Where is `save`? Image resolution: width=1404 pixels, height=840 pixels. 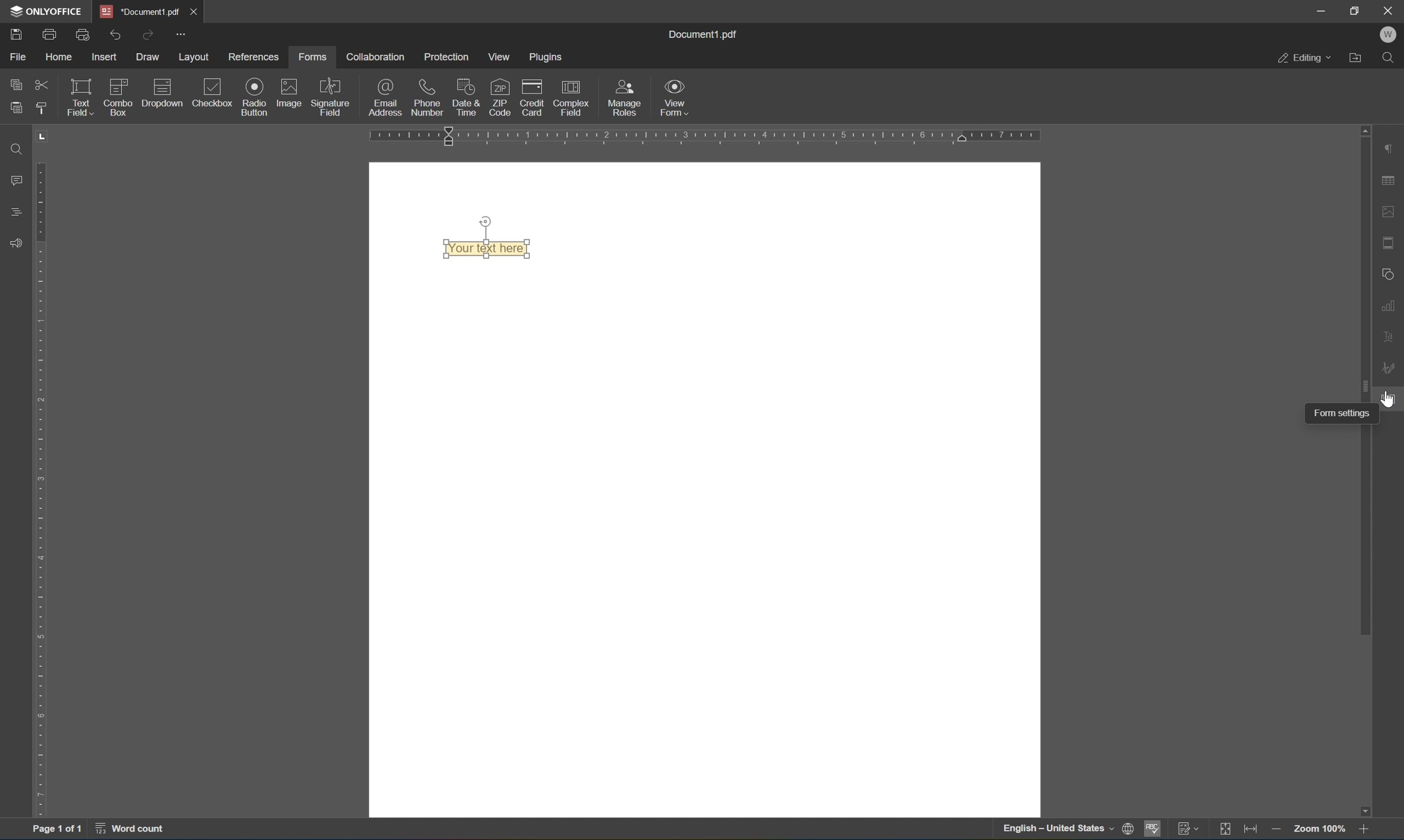
save is located at coordinates (16, 36).